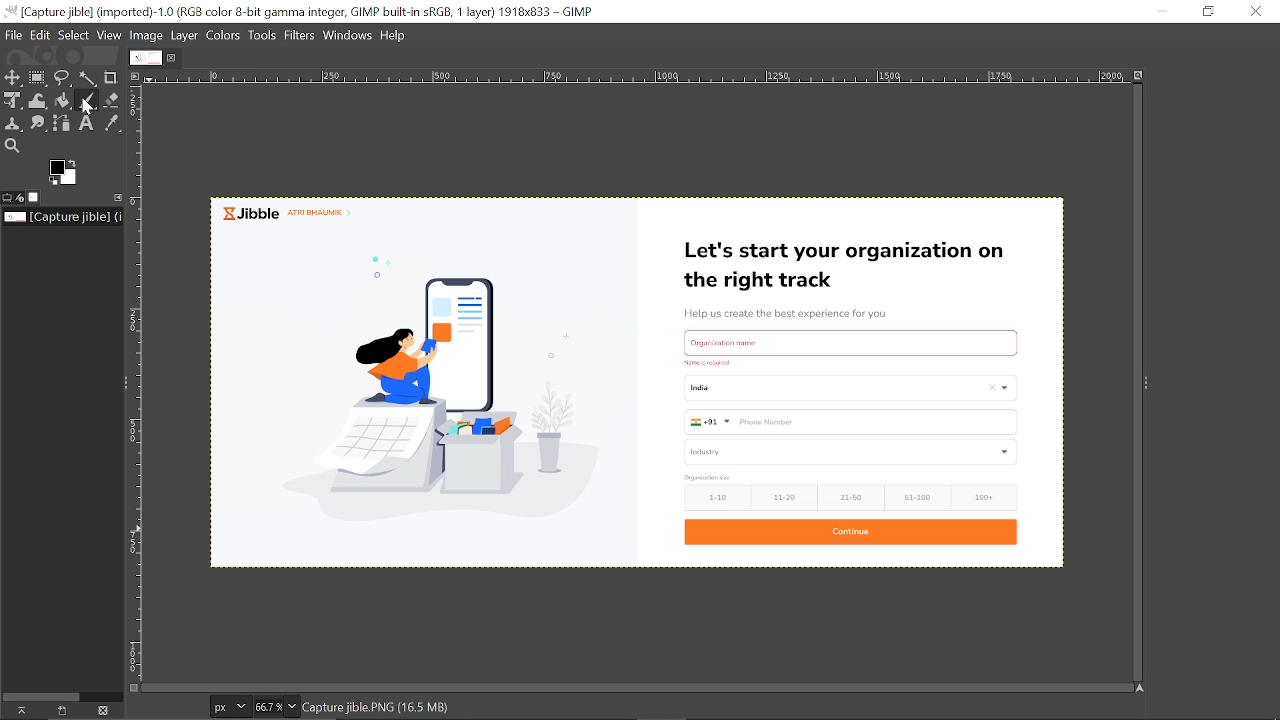 Image resolution: width=1280 pixels, height=720 pixels. I want to click on Tool options, so click(8, 197).